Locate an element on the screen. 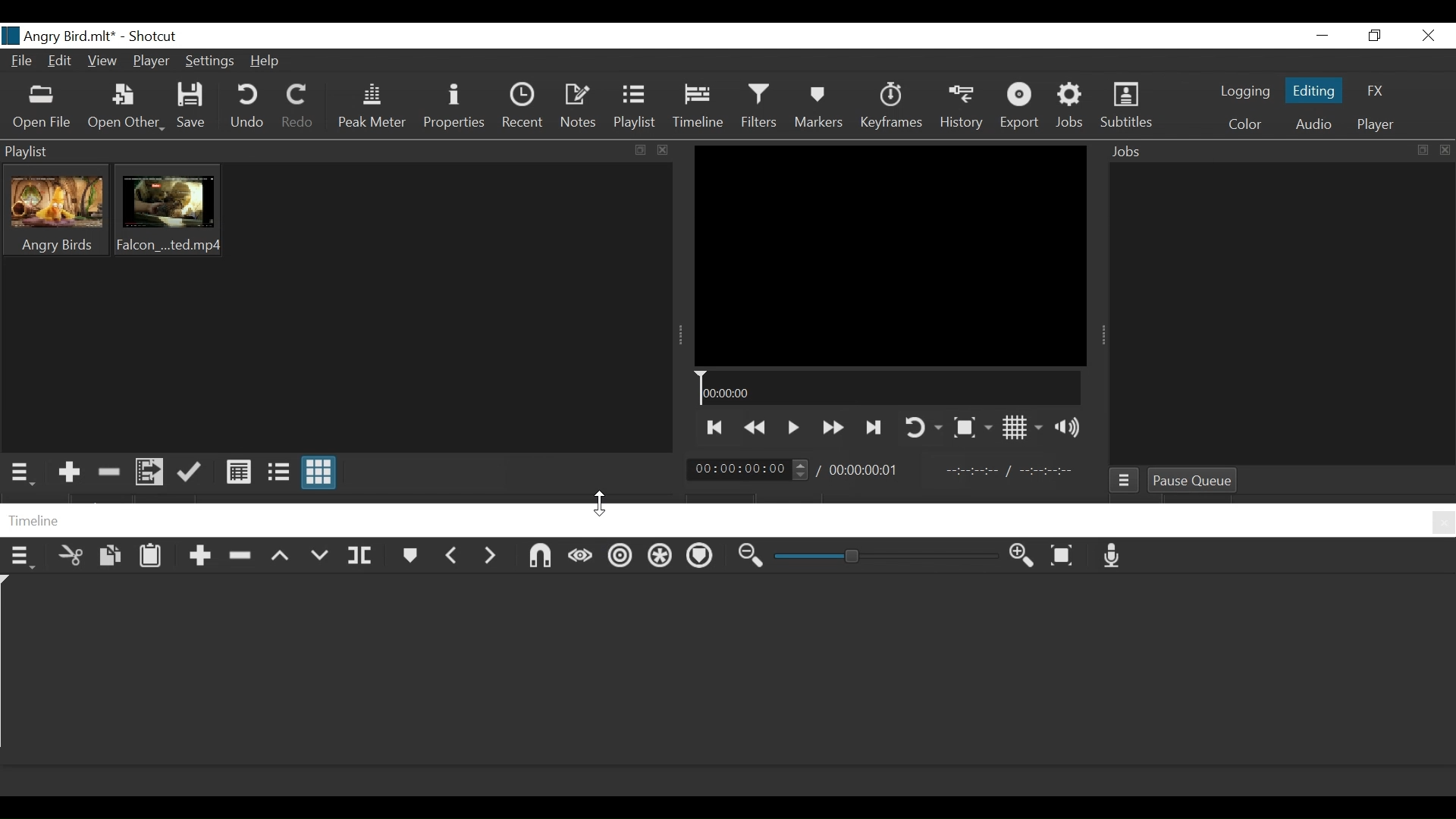  Player is located at coordinates (1373, 125).